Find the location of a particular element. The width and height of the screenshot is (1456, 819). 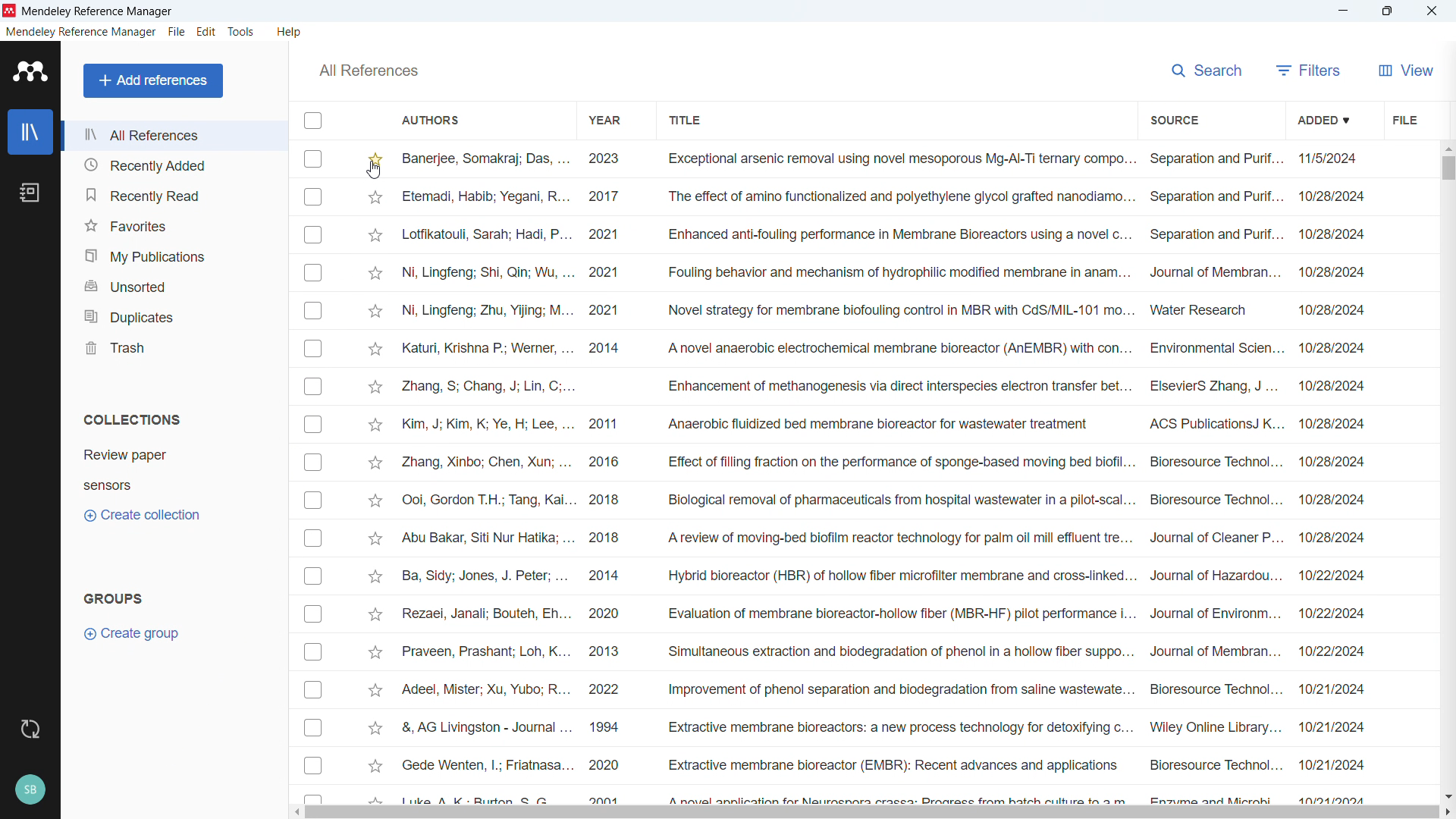

Sort by authors  is located at coordinates (438, 119).